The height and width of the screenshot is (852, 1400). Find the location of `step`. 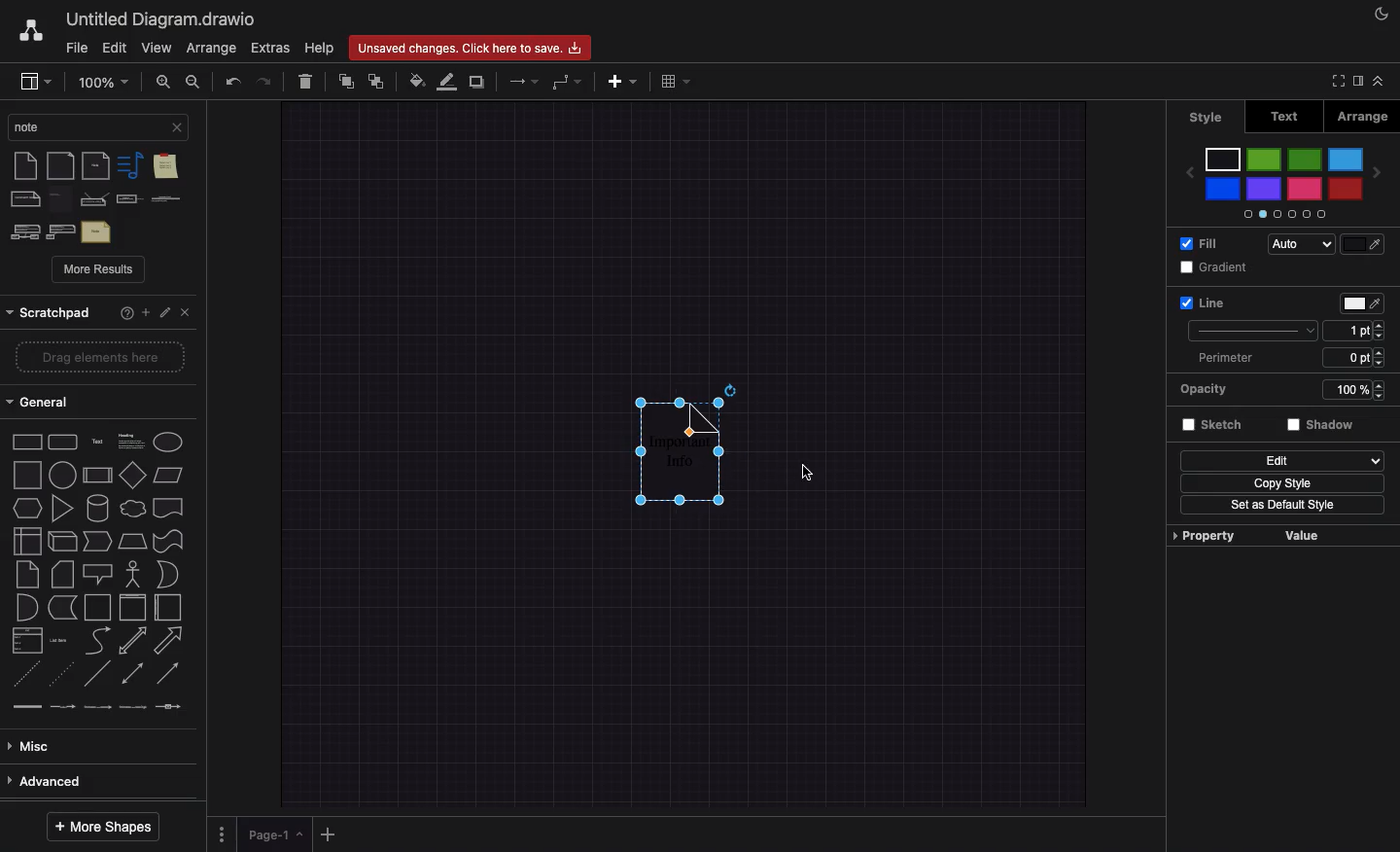

step is located at coordinates (99, 542).